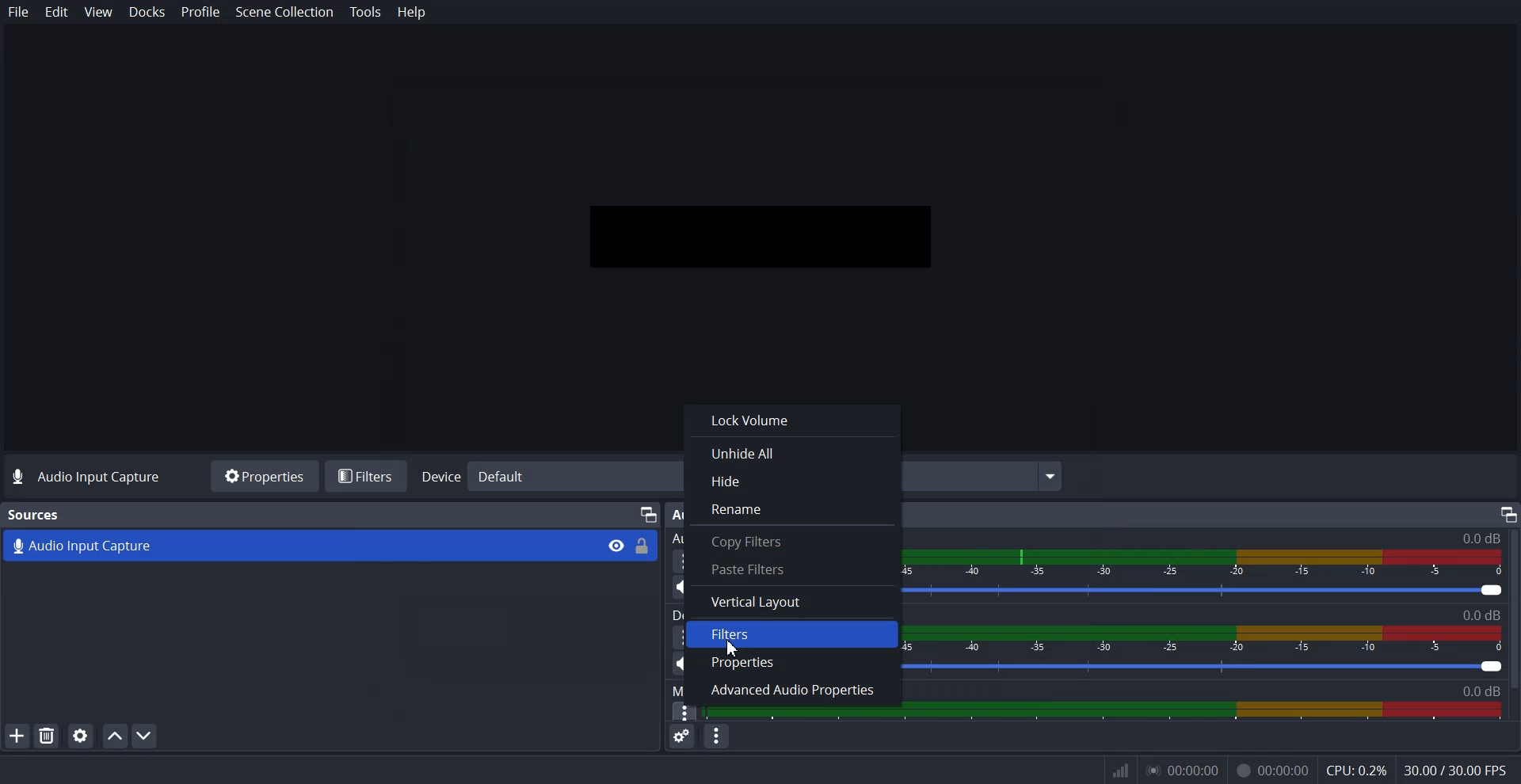  Describe the element at coordinates (524, 476) in the screenshot. I see `Default` at that location.